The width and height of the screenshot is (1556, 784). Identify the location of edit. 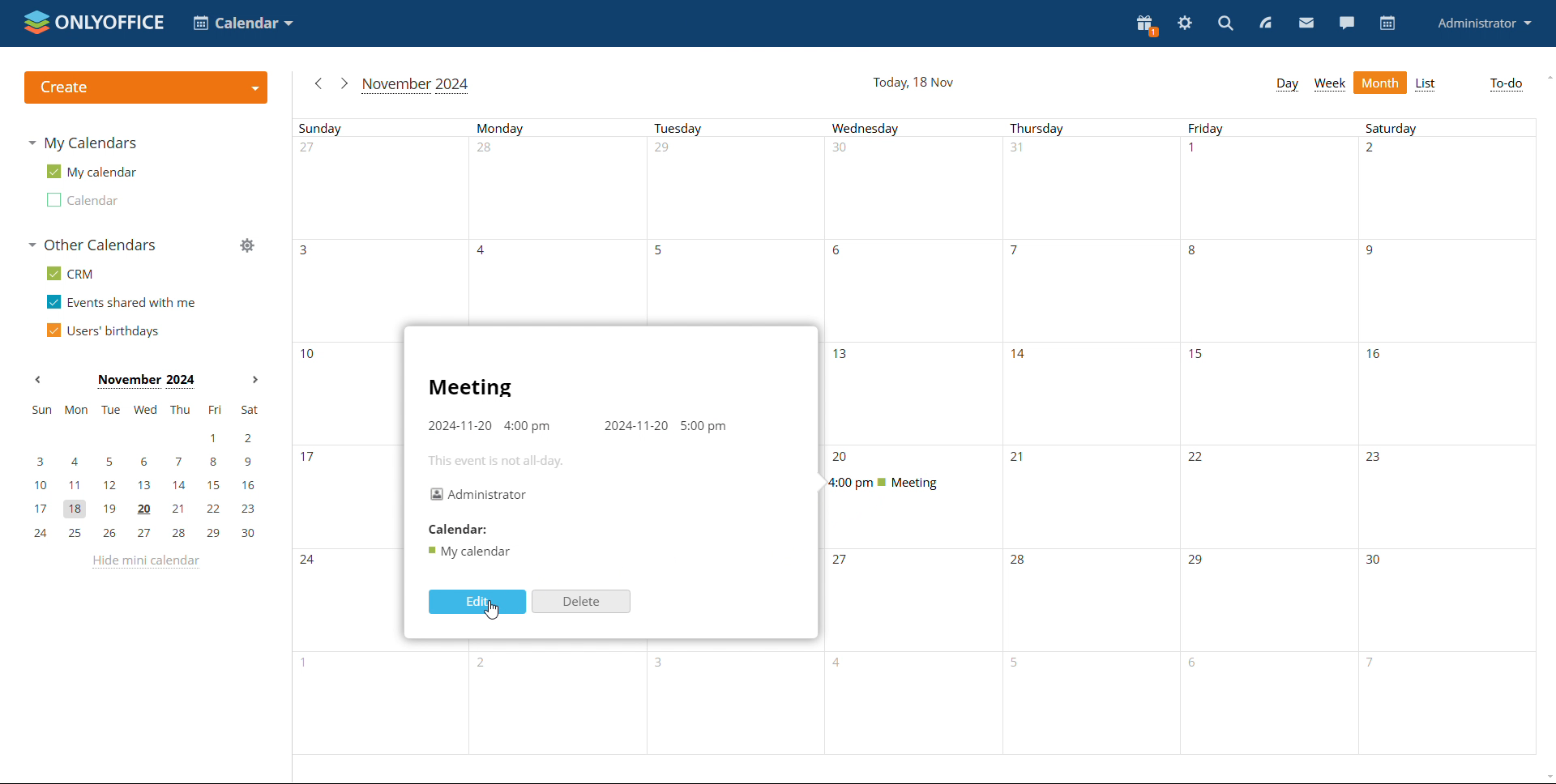
(478, 602).